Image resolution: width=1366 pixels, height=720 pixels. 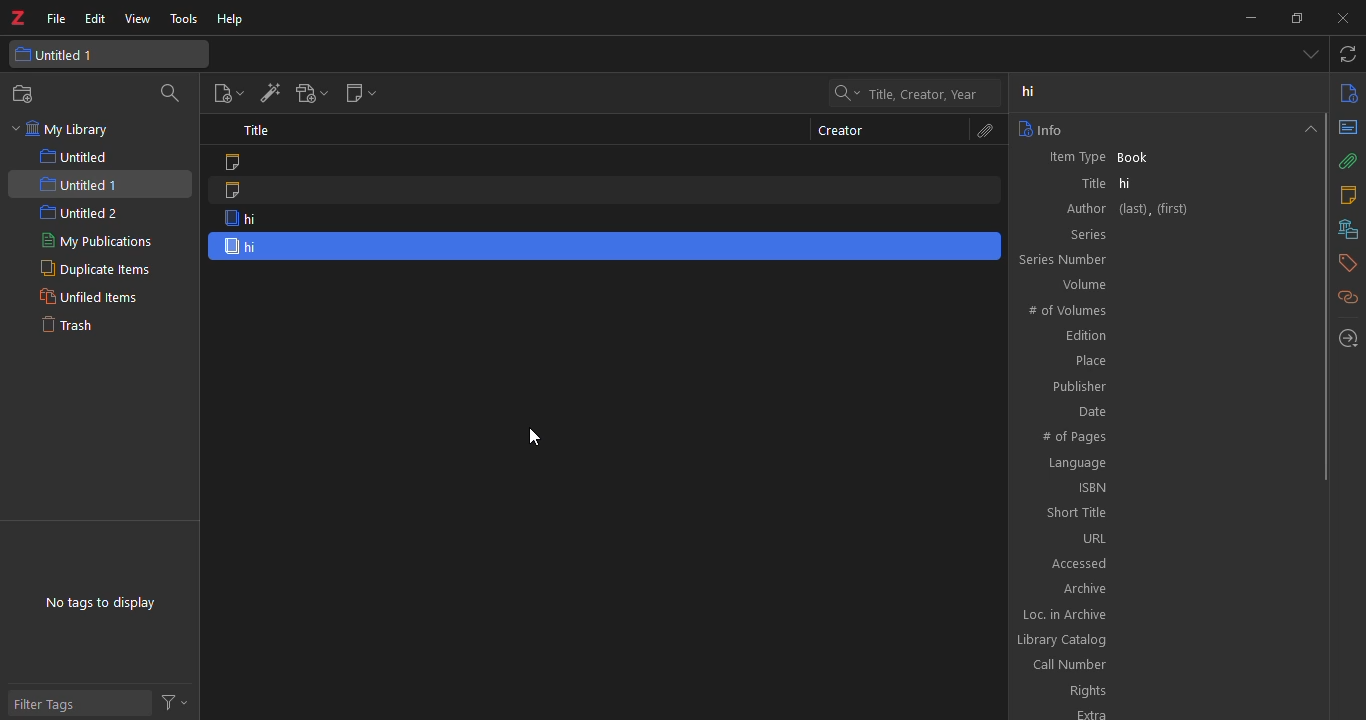 What do you see at coordinates (253, 218) in the screenshot?
I see `item` at bounding box center [253, 218].